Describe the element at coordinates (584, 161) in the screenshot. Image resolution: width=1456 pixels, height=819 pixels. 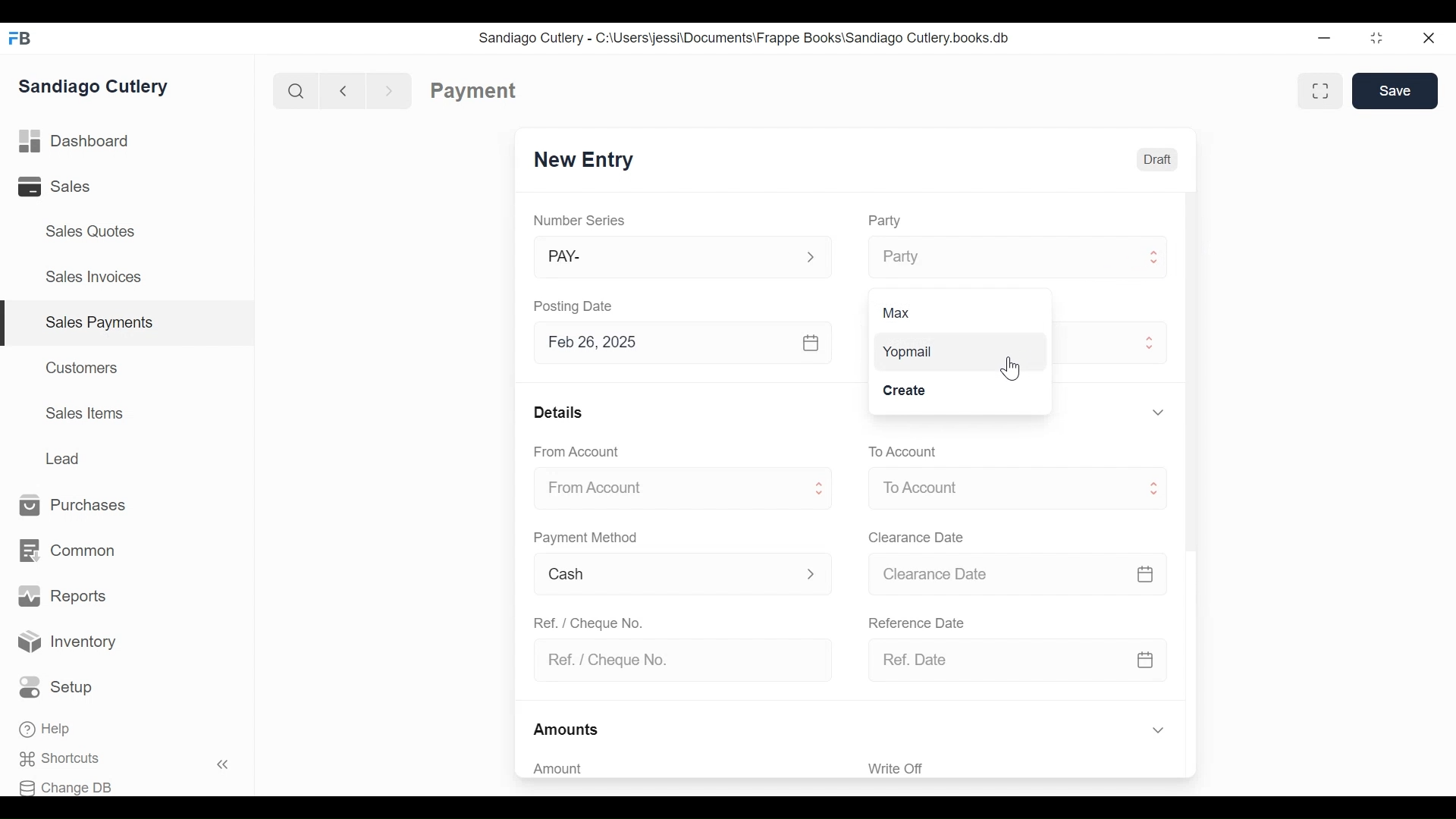
I see `New Entry` at that location.